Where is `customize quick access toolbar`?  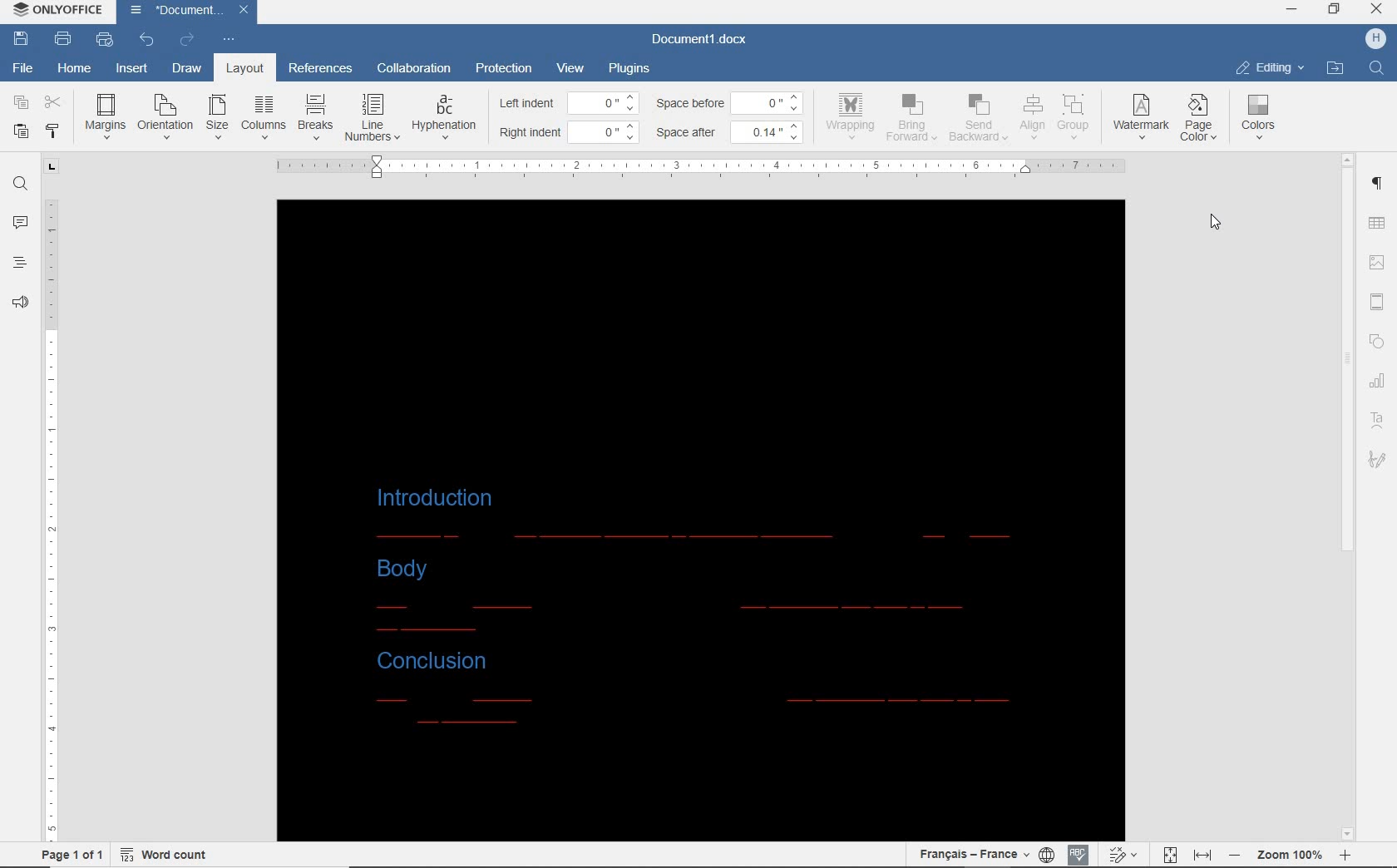 customize quick access toolbar is located at coordinates (229, 39).